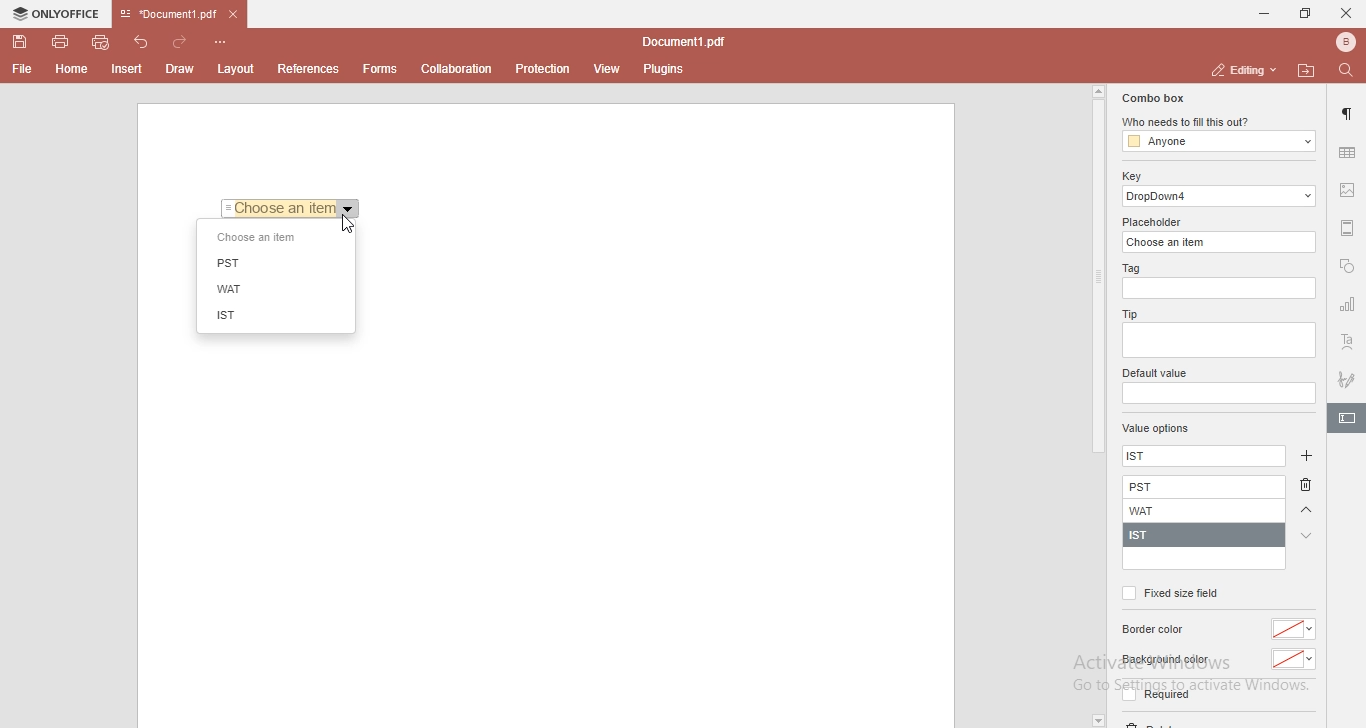  Describe the element at coordinates (1220, 196) in the screenshot. I see `dropdown 4` at that location.